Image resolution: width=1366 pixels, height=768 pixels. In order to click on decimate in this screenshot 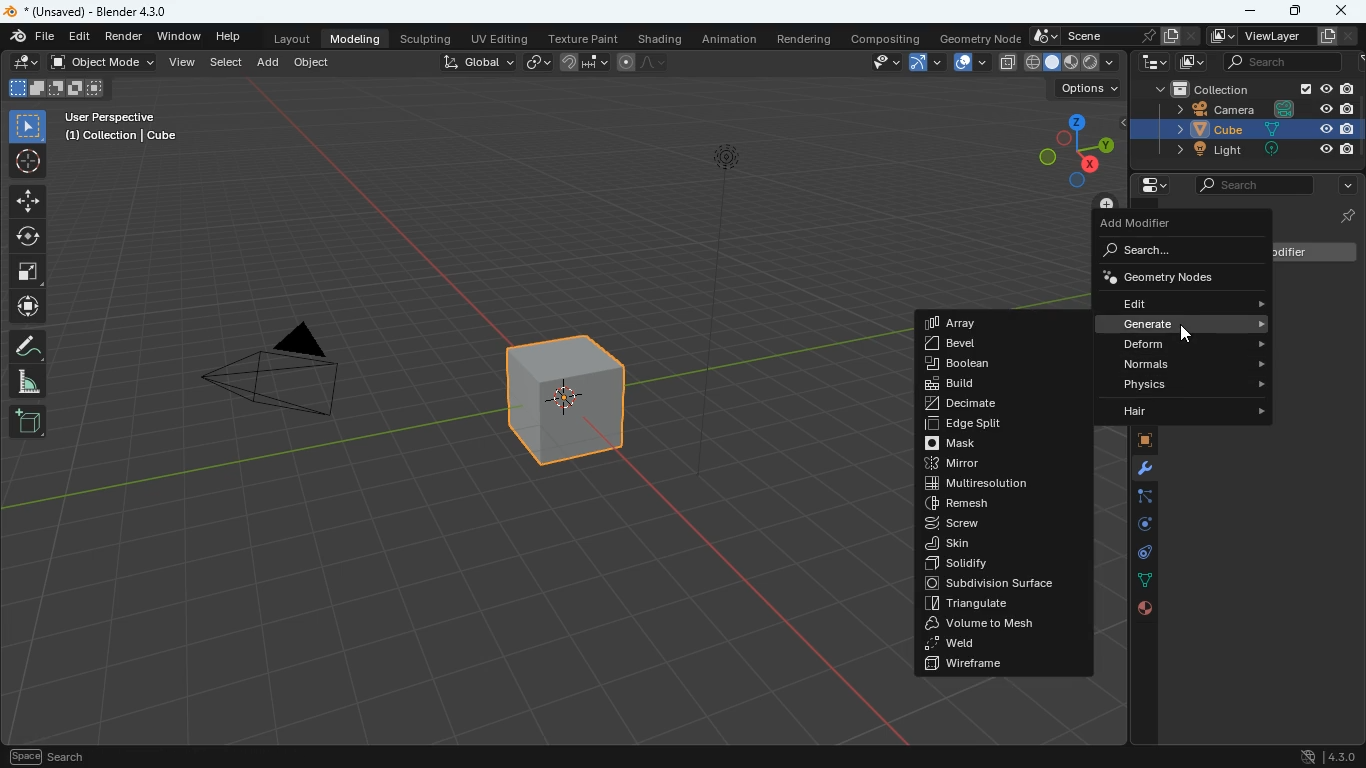, I will do `click(1001, 403)`.